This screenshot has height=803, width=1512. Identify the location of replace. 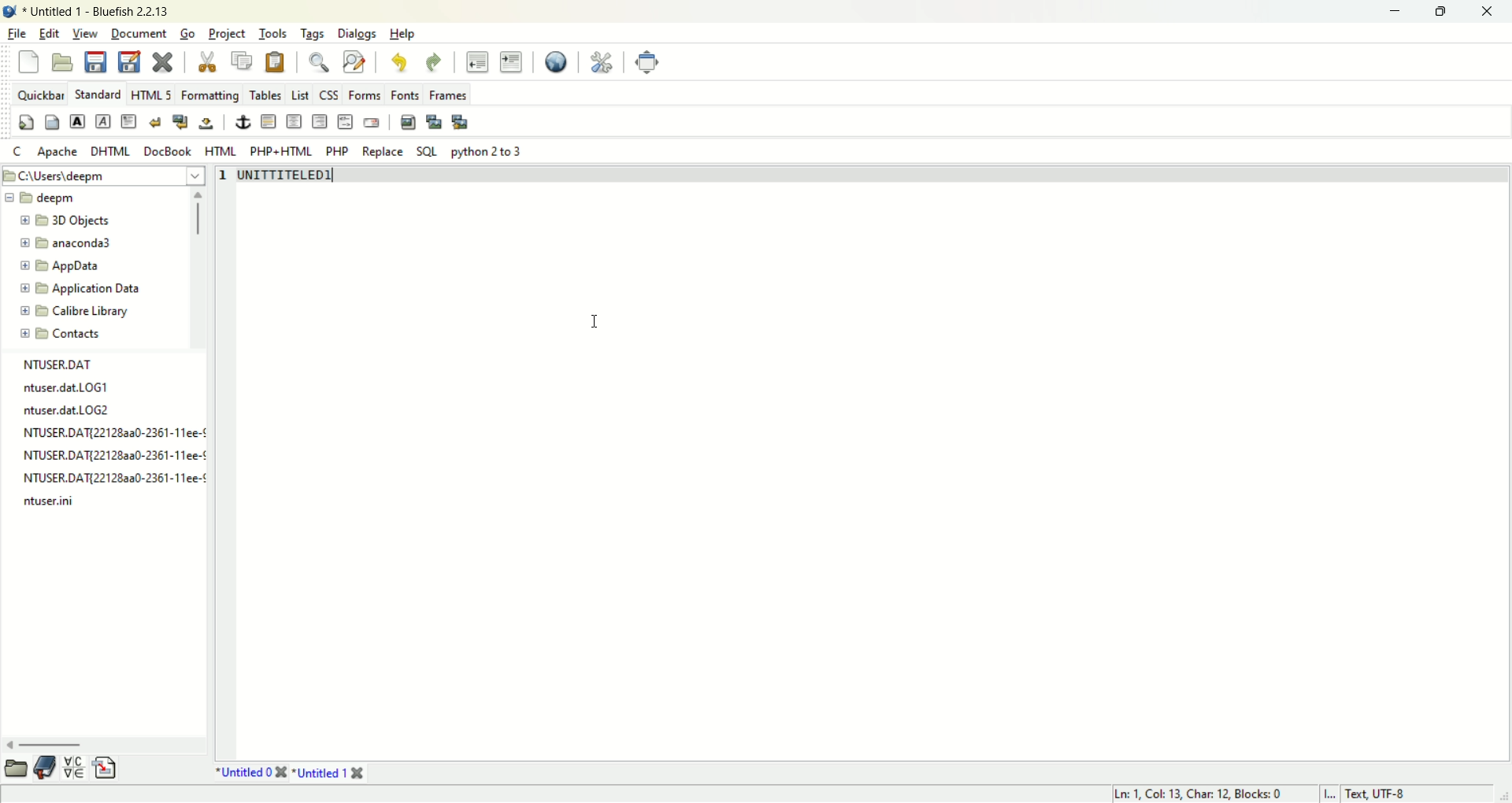
(381, 150).